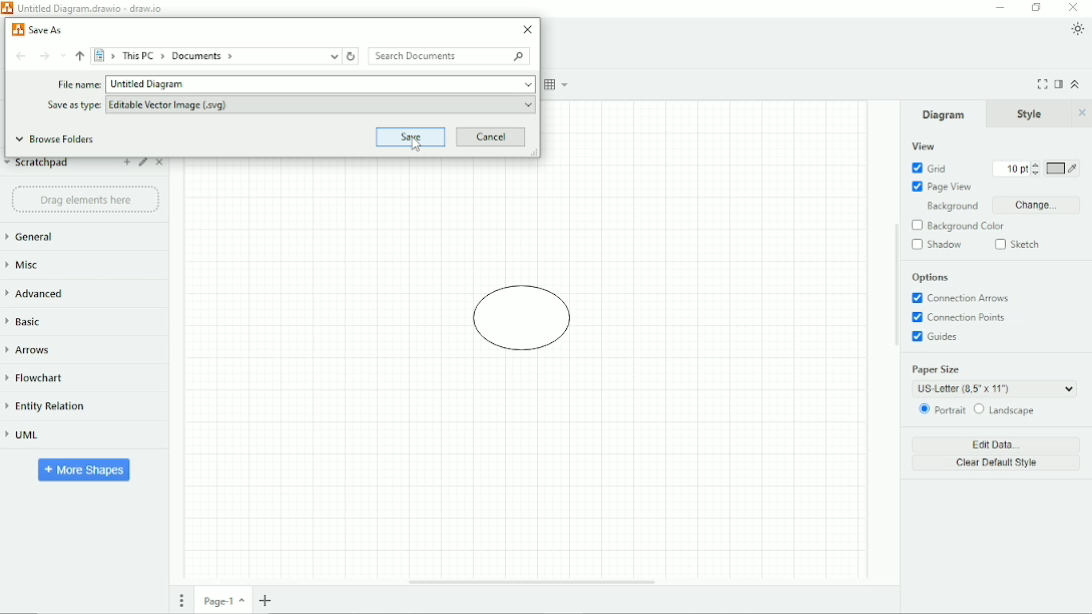 The height and width of the screenshot is (614, 1092). What do you see at coordinates (528, 30) in the screenshot?
I see `Close` at bounding box center [528, 30].